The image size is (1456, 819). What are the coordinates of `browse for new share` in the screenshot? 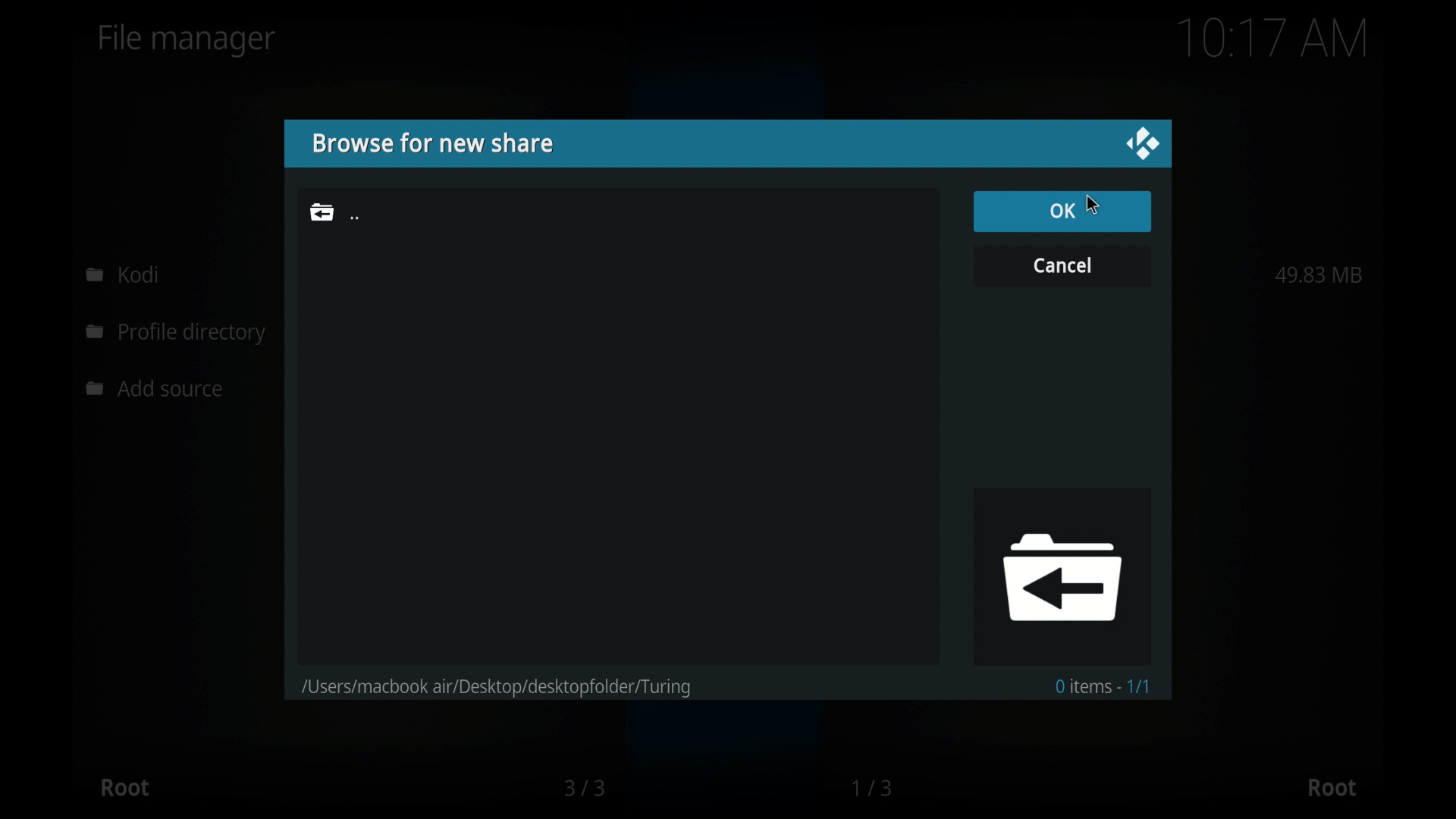 It's located at (431, 143).